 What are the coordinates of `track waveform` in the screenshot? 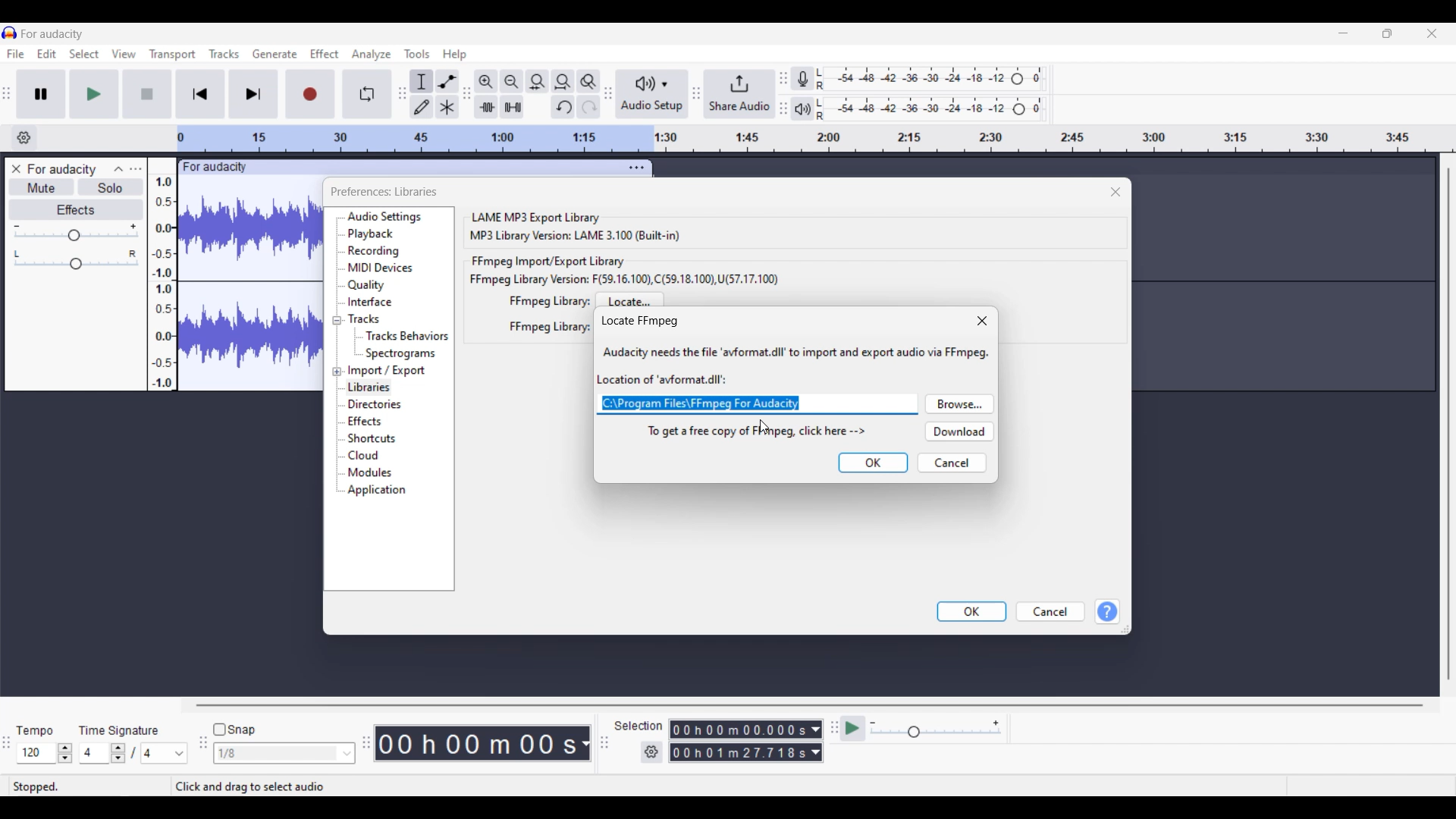 It's located at (246, 287).